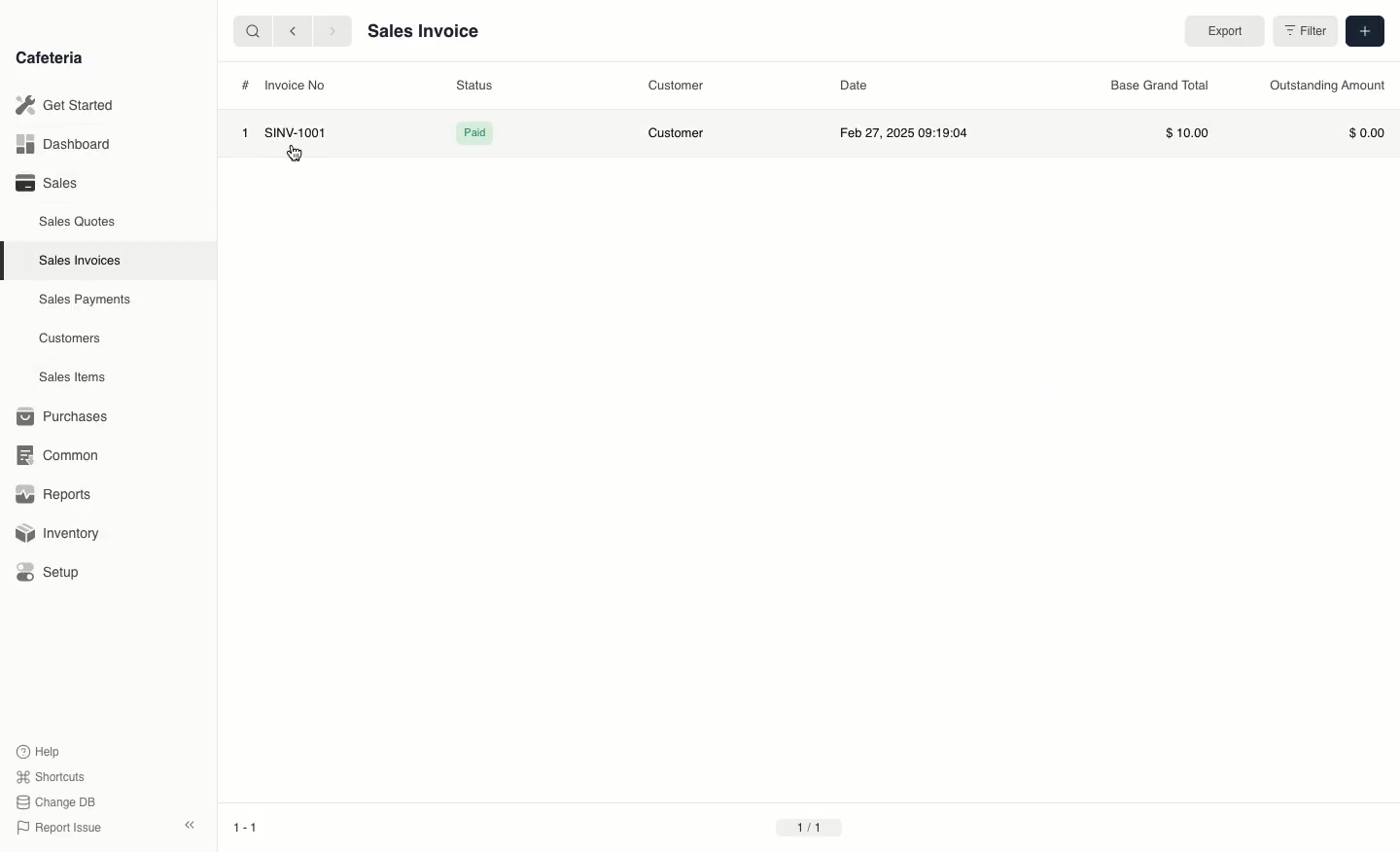 The width and height of the screenshot is (1400, 852). Describe the element at coordinates (474, 86) in the screenshot. I see `Status` at that location.